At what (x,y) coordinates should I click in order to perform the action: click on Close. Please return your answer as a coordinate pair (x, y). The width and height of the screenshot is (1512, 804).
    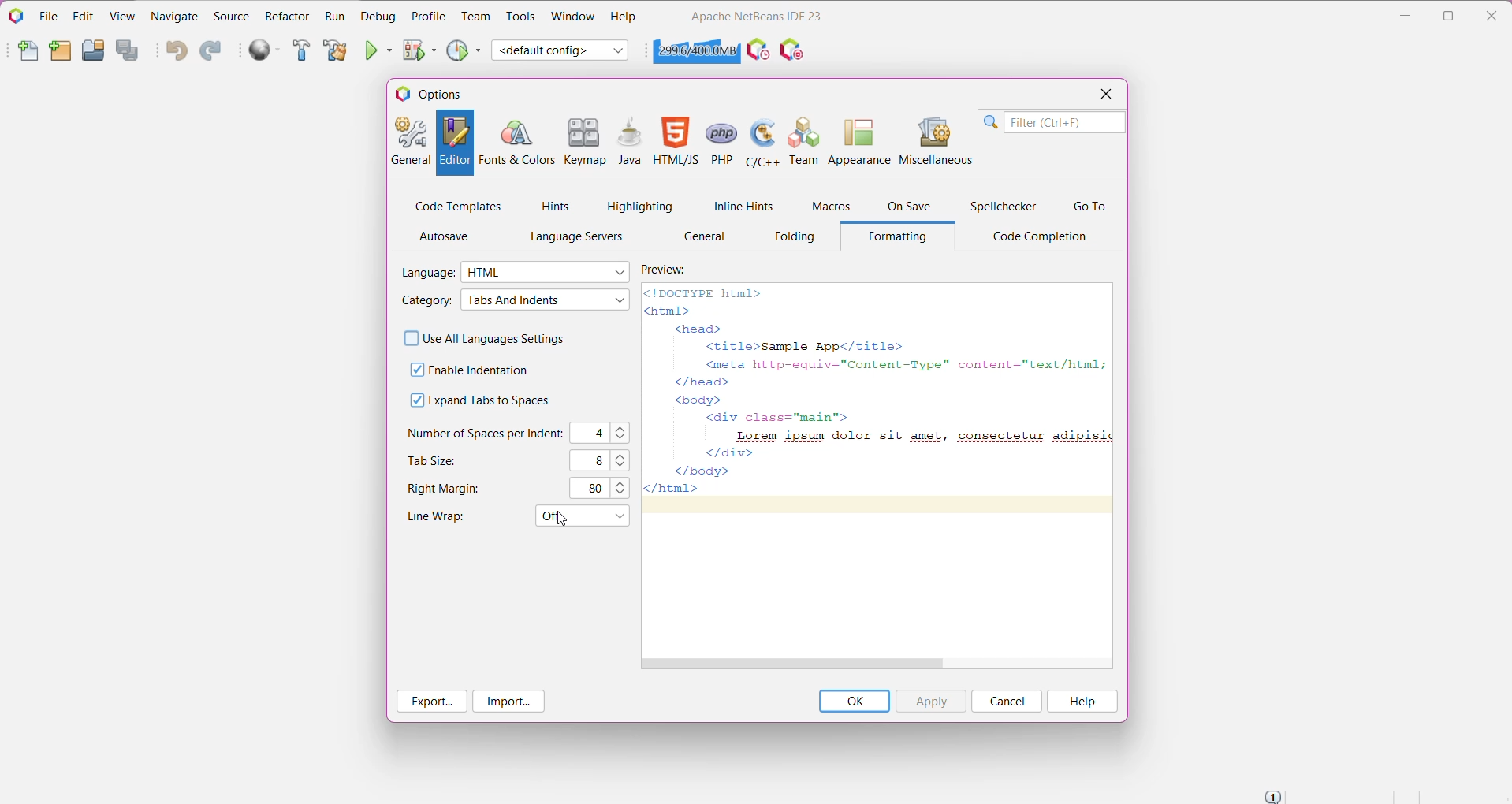
    Looking at the image, I should click on (1104, 95).